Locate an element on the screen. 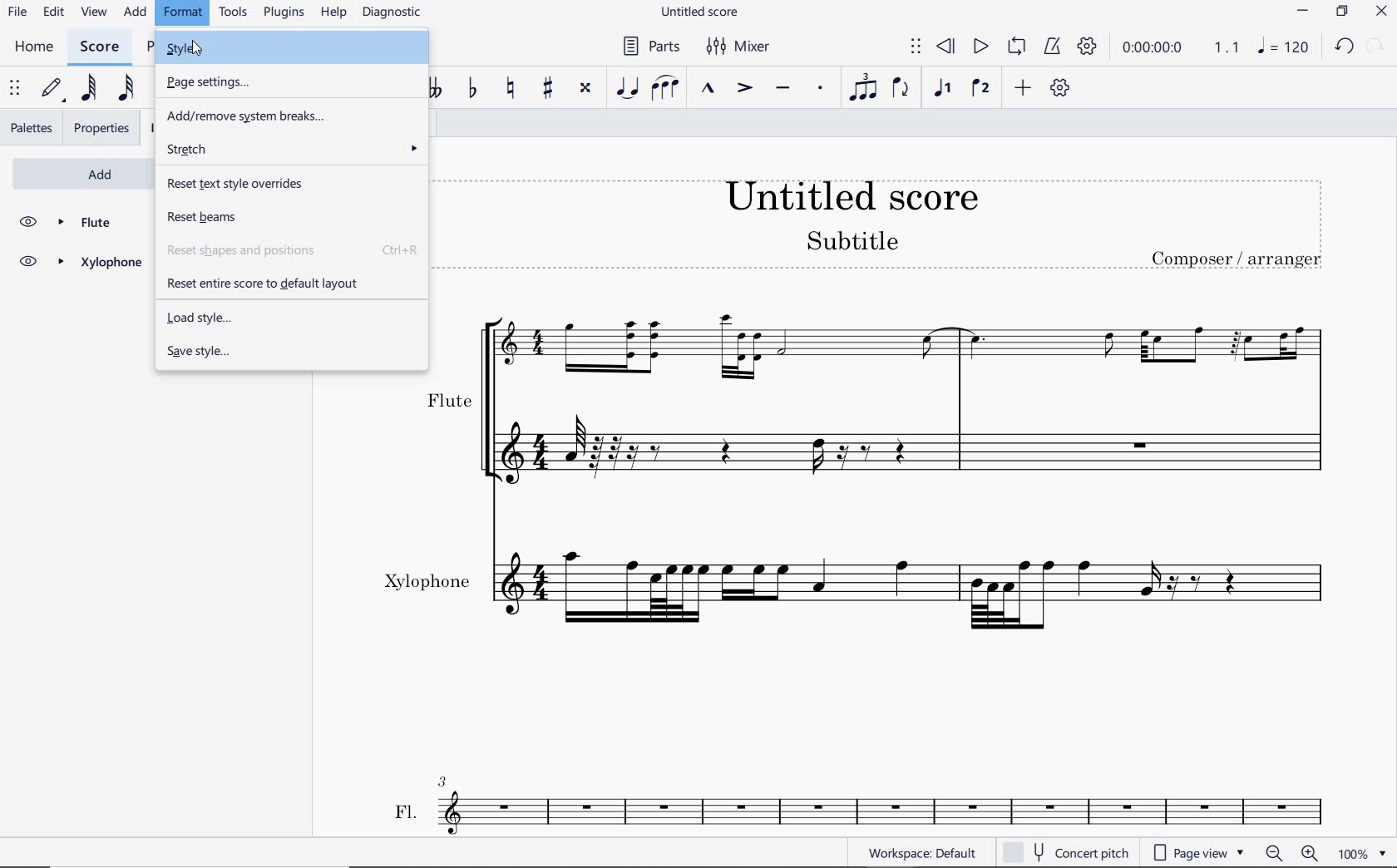  MIXER is located at coordinates (741, 47).